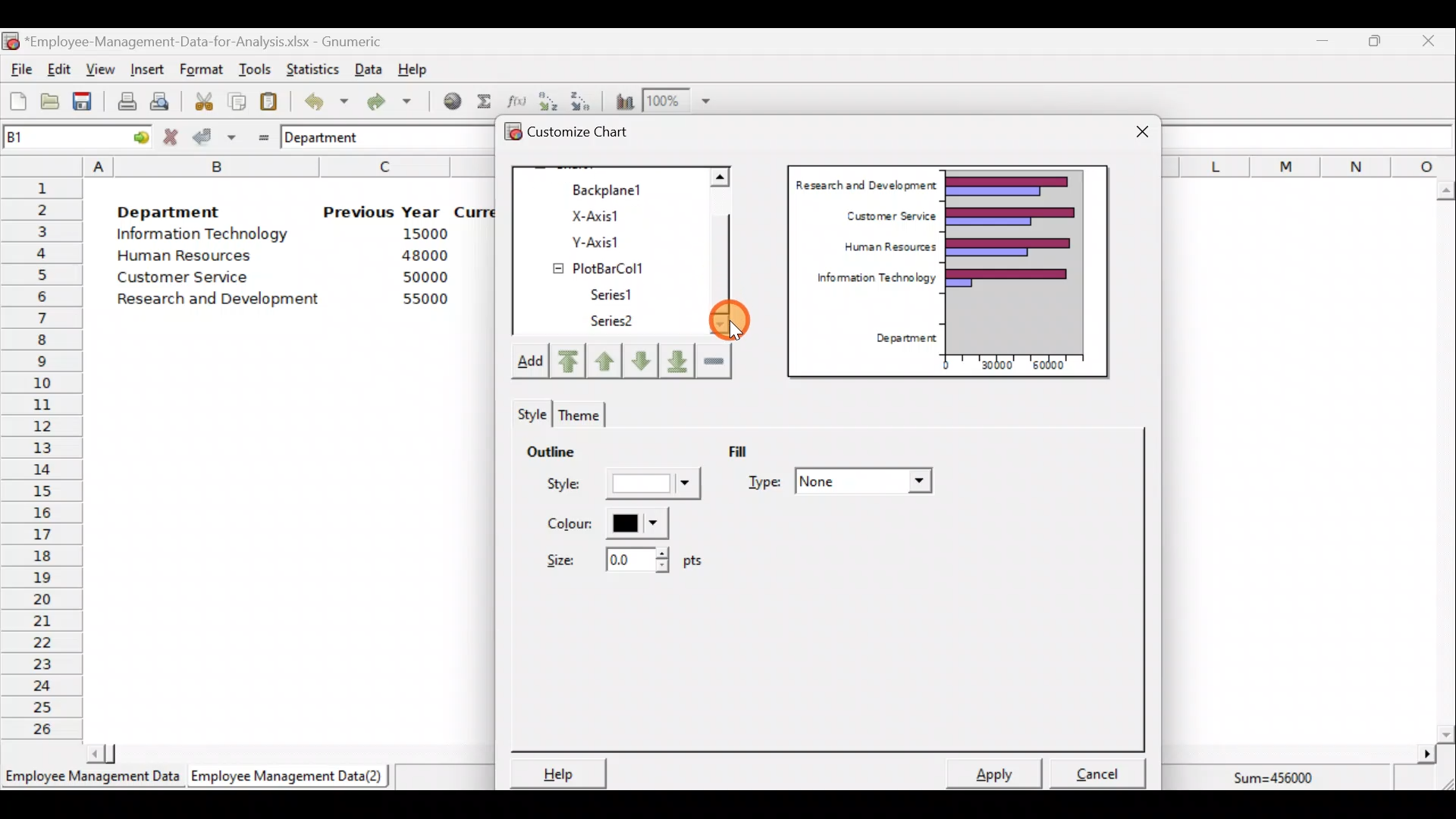 This screenshot has height=819, width=1456. I want to click on Formula bar, so click(1312, 136).